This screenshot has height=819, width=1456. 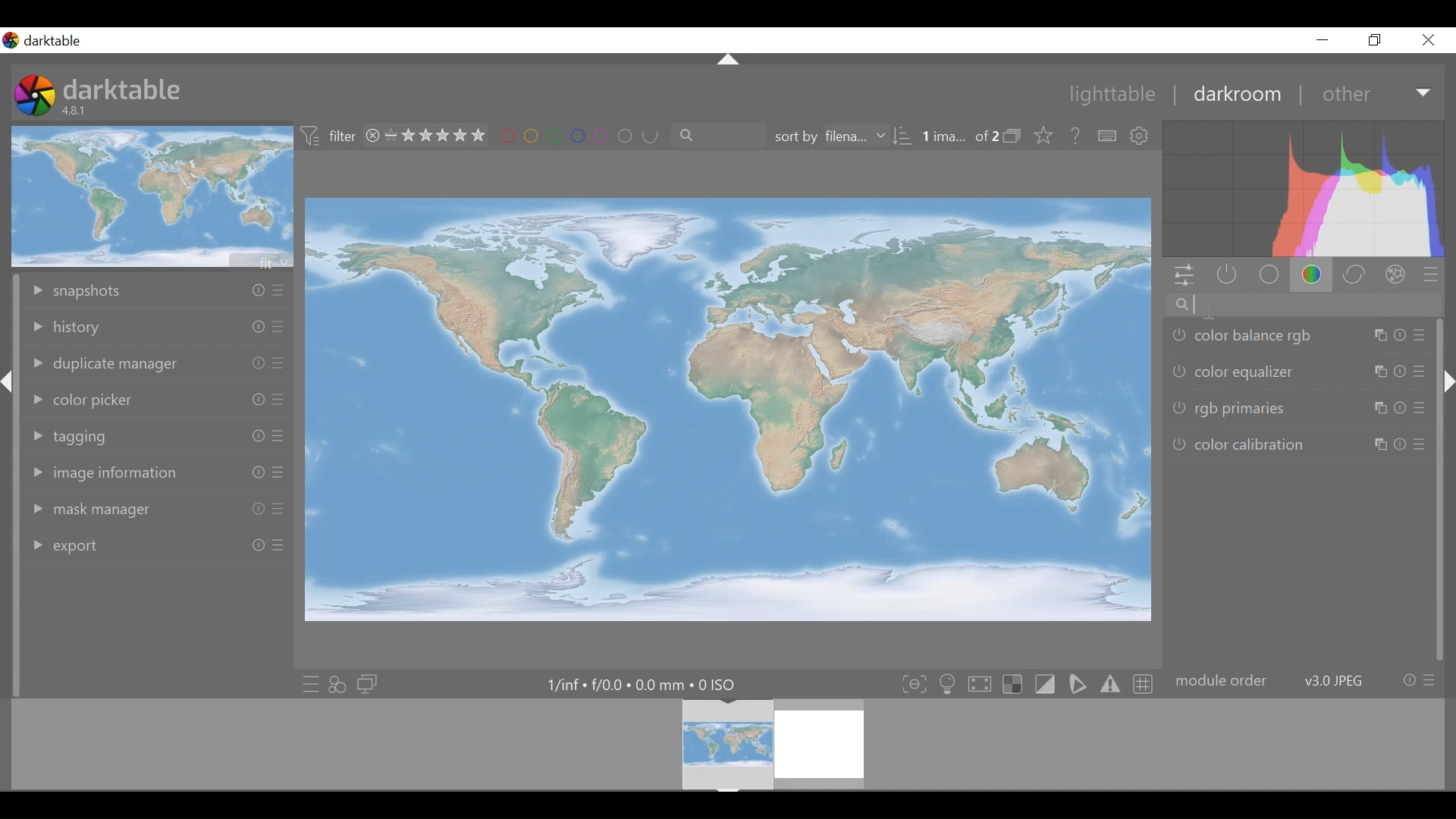 I want to click on Help, so click(x=1075, y=134).